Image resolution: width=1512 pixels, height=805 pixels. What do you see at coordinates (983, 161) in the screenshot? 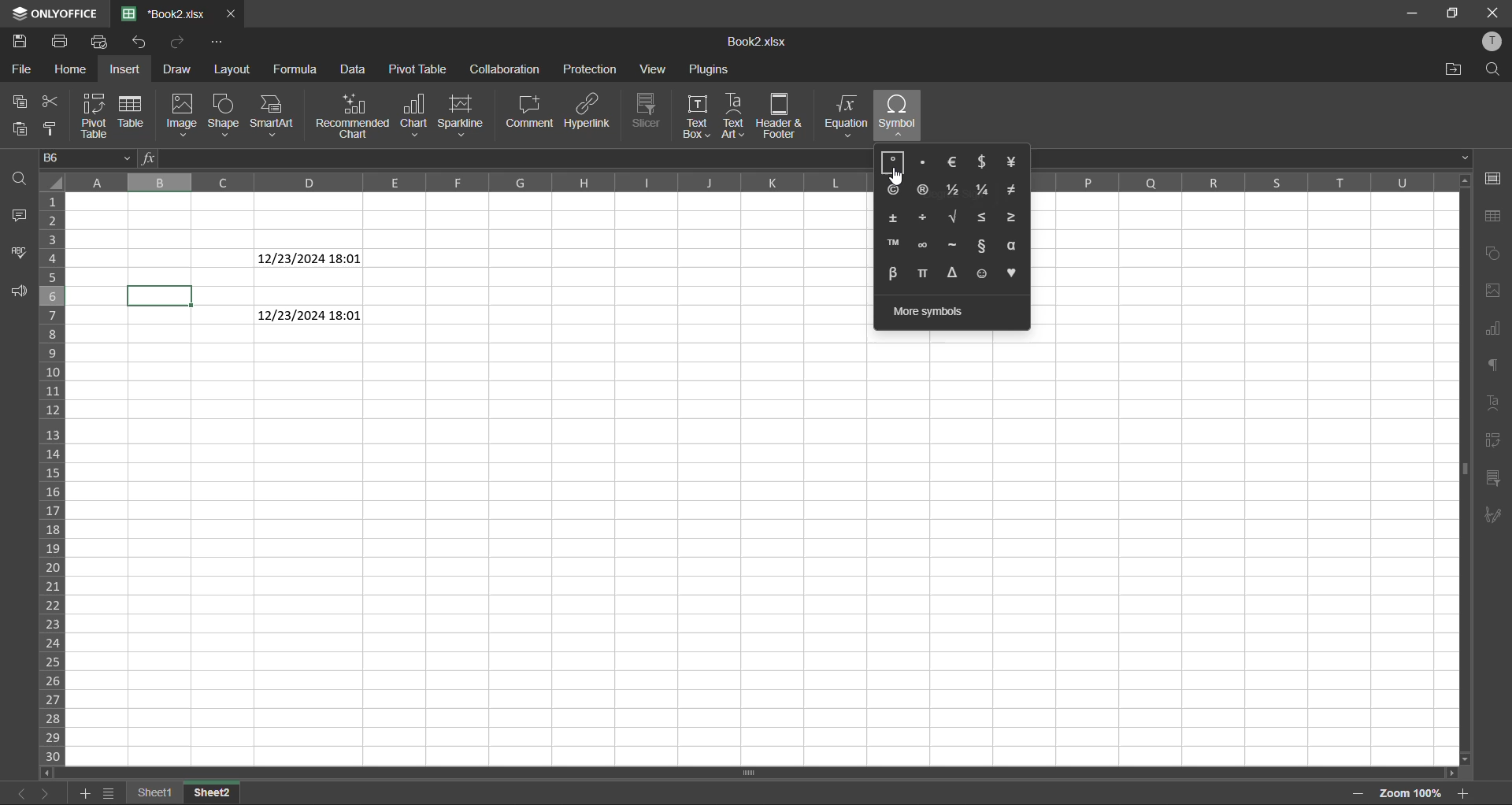
I see `dollar` at bounding box center [983, 161].